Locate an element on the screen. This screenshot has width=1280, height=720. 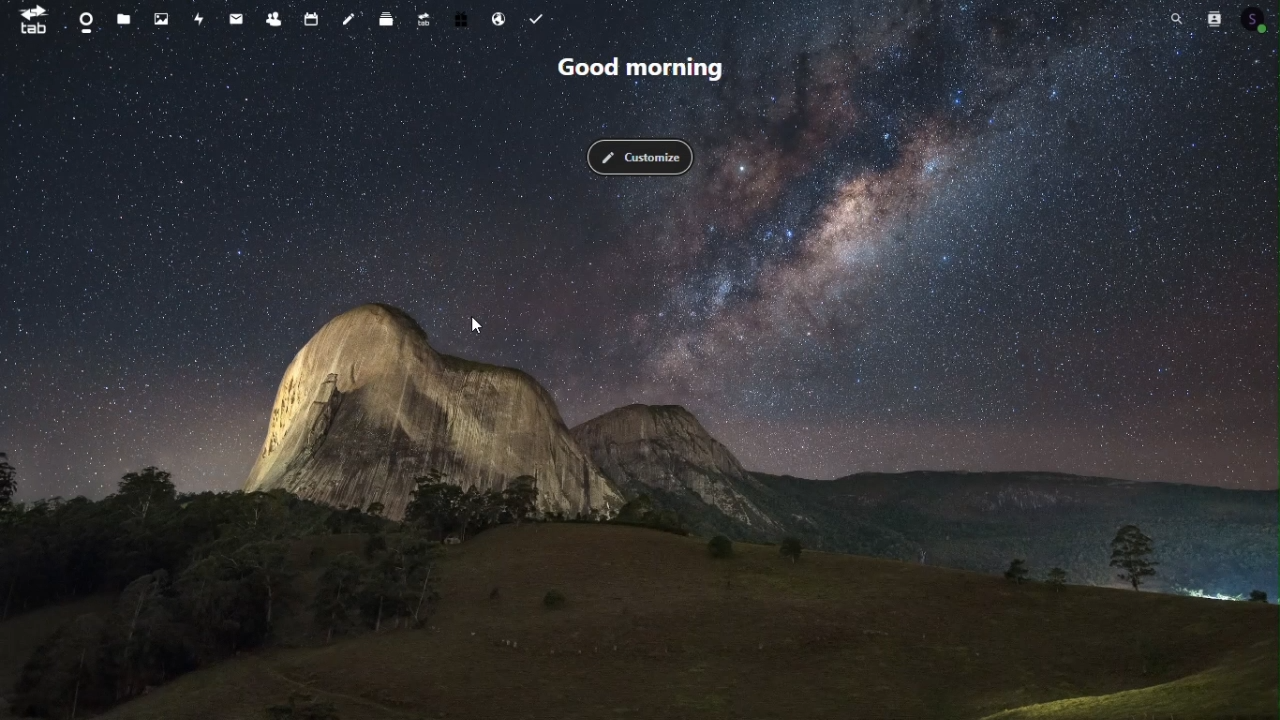
Good morning is located at coordinates (639, 68).